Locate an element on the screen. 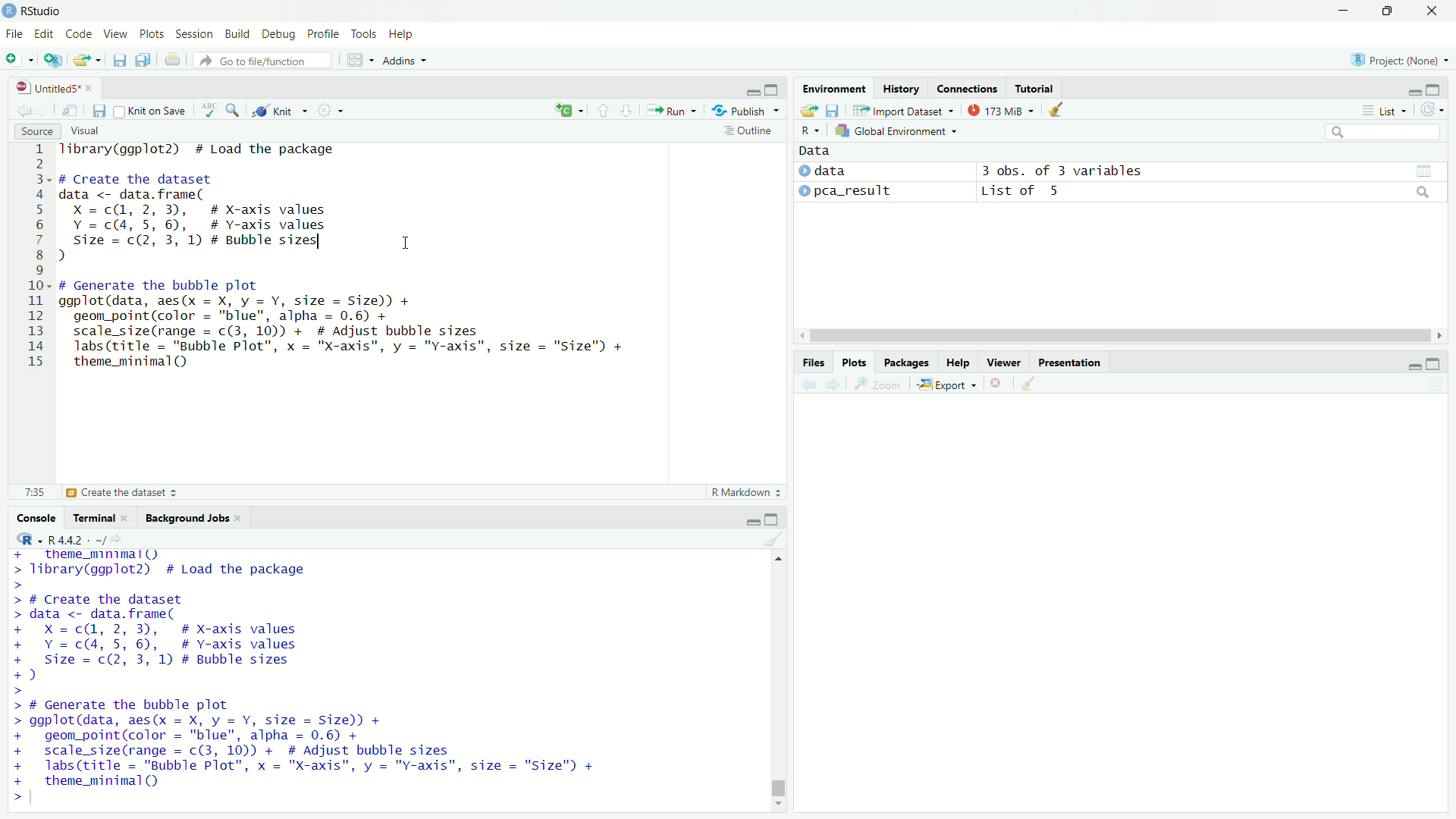 The height and width of the screenshot is (819, 1456). zoom is located at coordinates (879, 385).